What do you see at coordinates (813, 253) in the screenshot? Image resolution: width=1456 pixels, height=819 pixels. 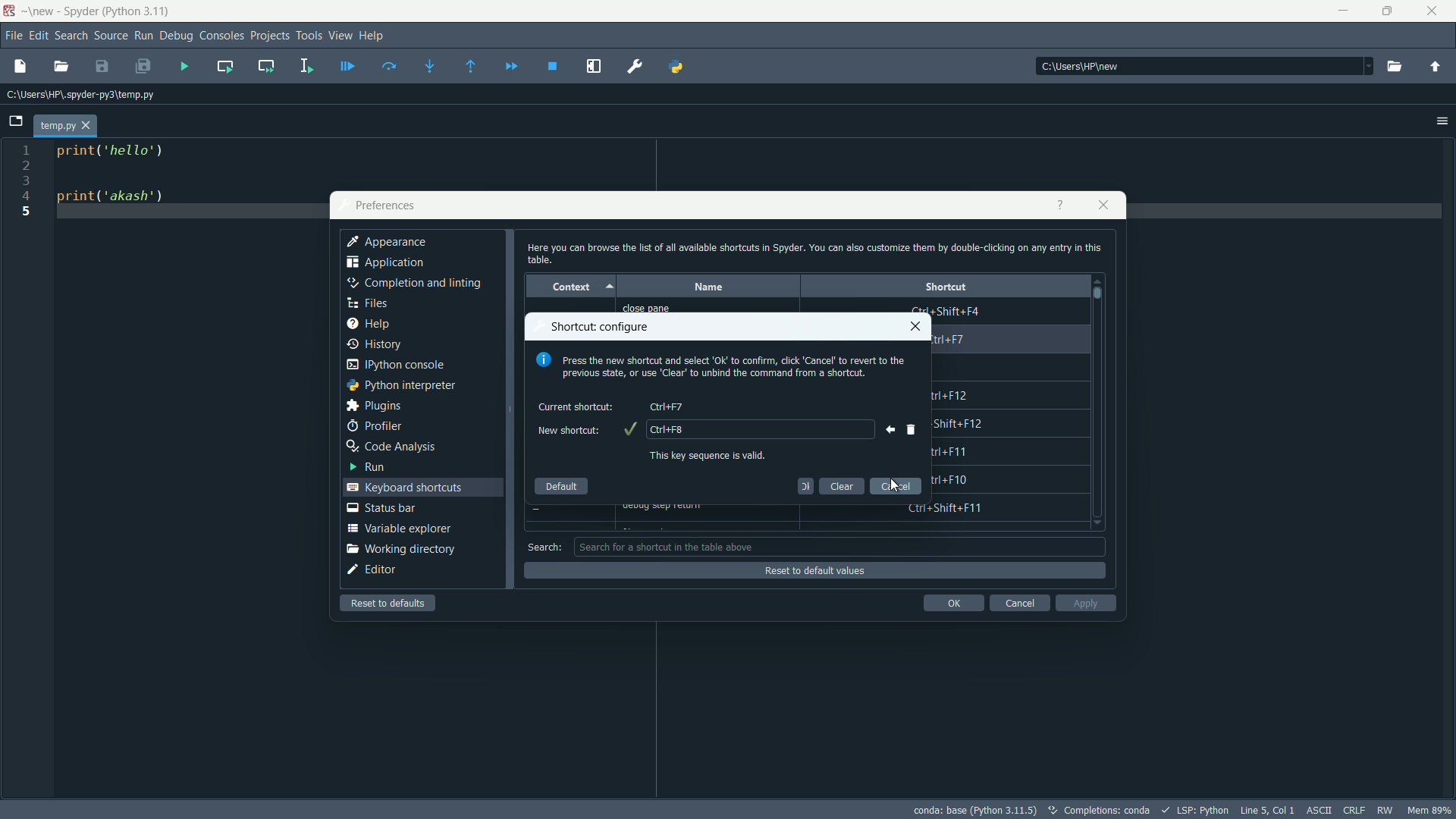 I see `text - Here you can browse the list of all available shortcuts in Spyder. You can also customize them by double-clicking on any entry in this table.` at bounding box center [813, 253].